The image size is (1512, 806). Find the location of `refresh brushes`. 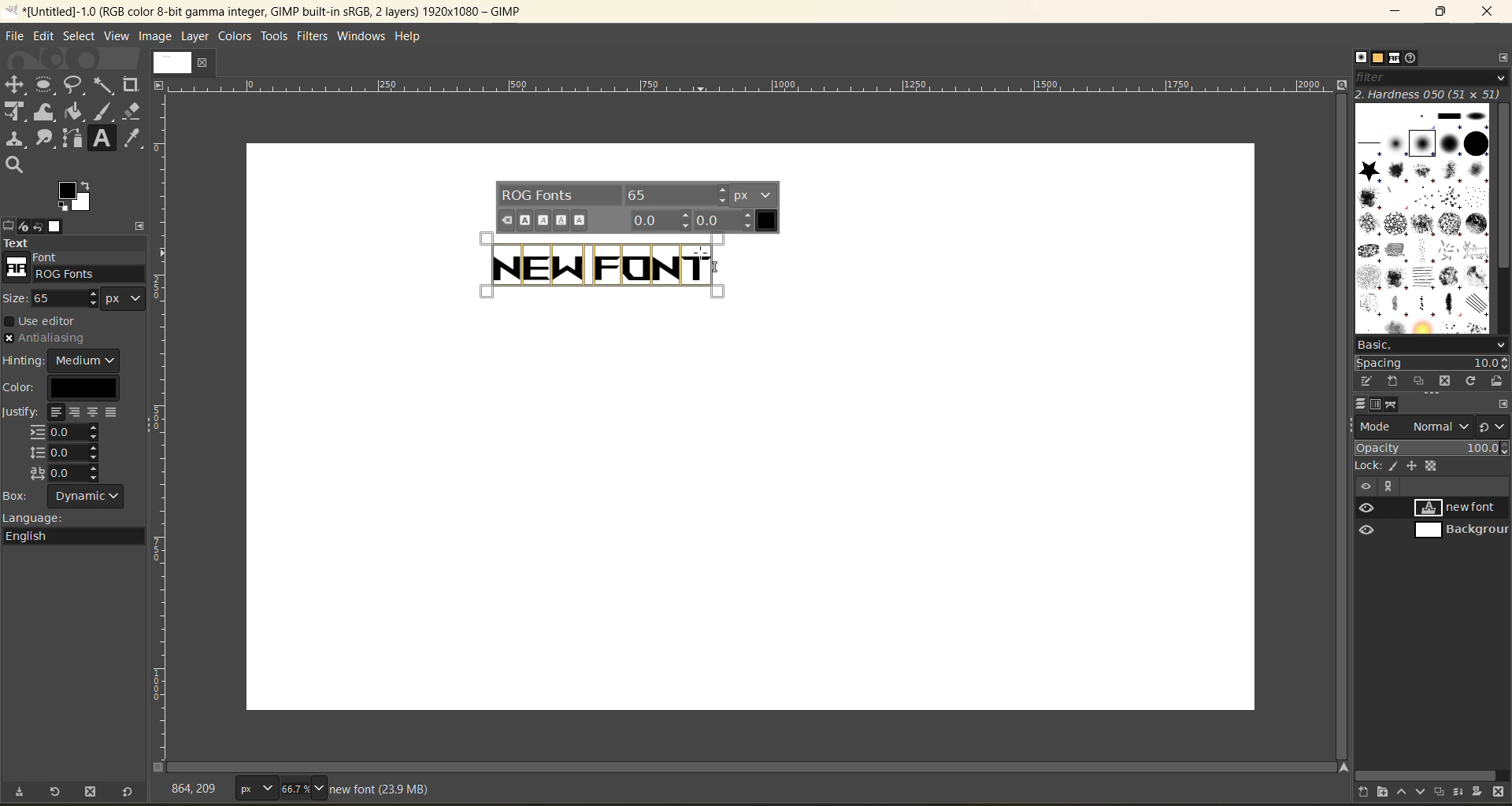

refresh brushes is located at coordinates (1473, 383).